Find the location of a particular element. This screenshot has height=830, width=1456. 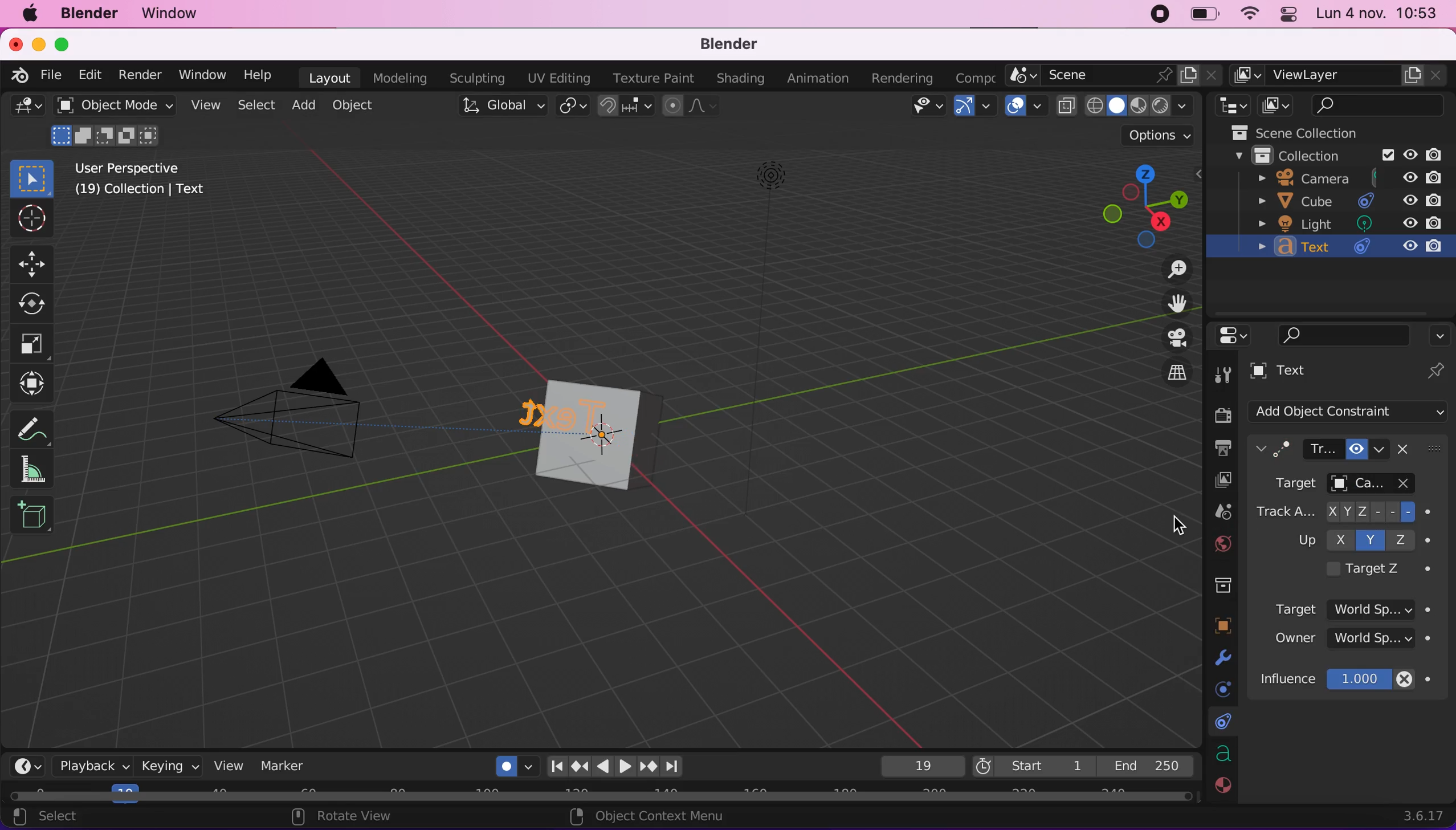

add is located at coordinates (307, 107).